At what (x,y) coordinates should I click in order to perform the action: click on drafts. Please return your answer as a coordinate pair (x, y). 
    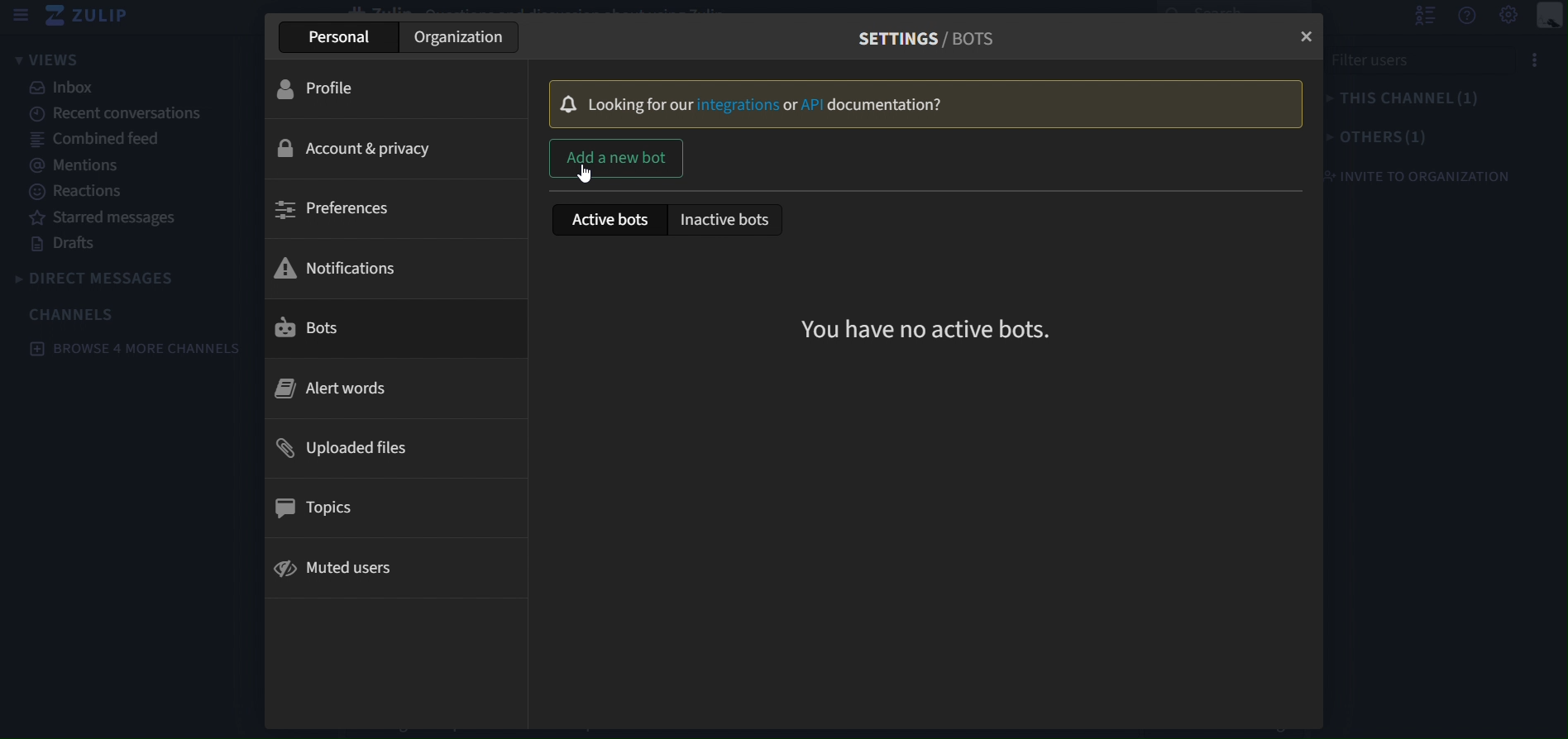
    Looking at the image, I should click on (122, 245).